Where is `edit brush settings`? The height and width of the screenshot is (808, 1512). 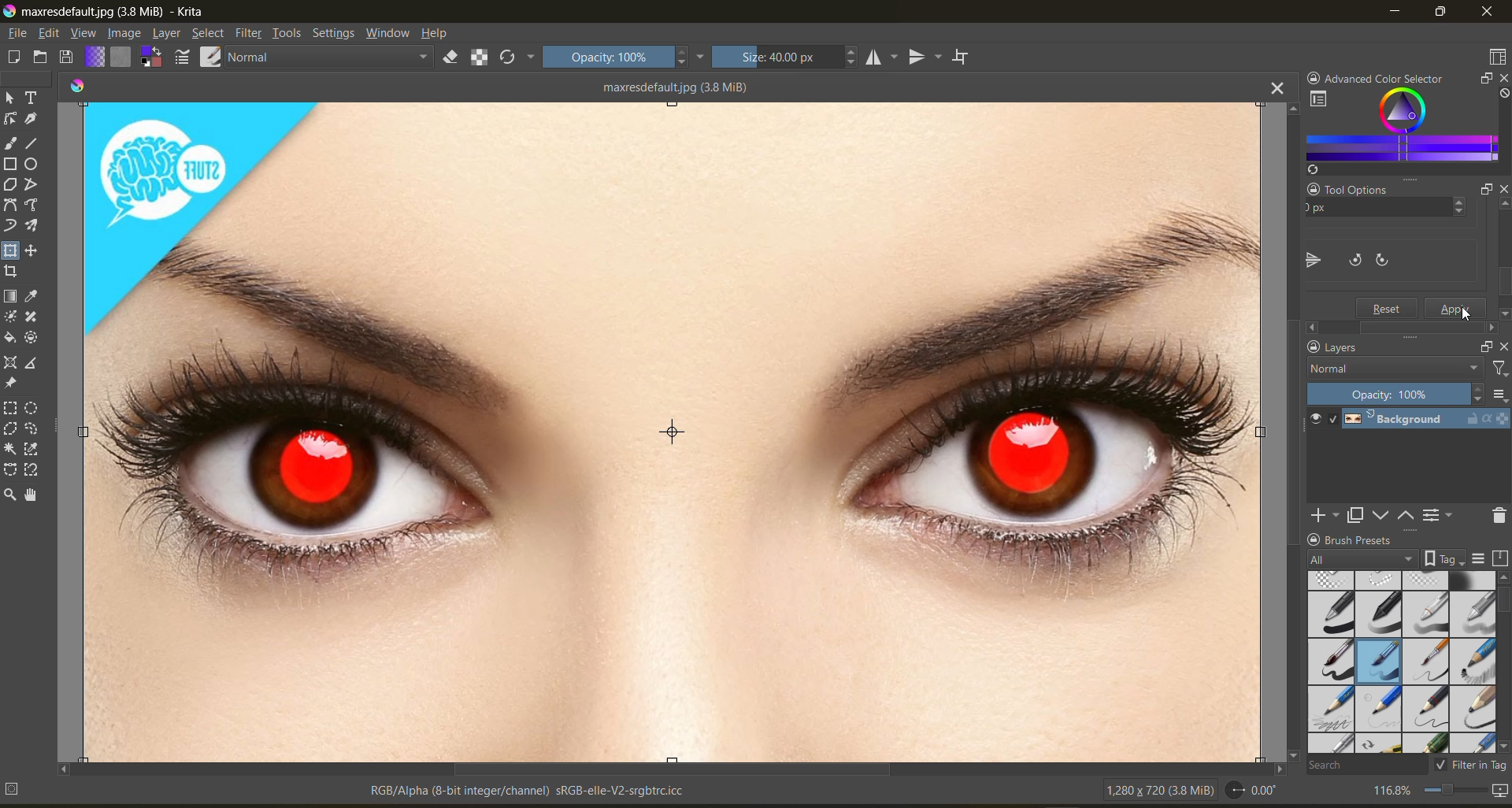
edit brush settings is located at coordinates (184, 57).